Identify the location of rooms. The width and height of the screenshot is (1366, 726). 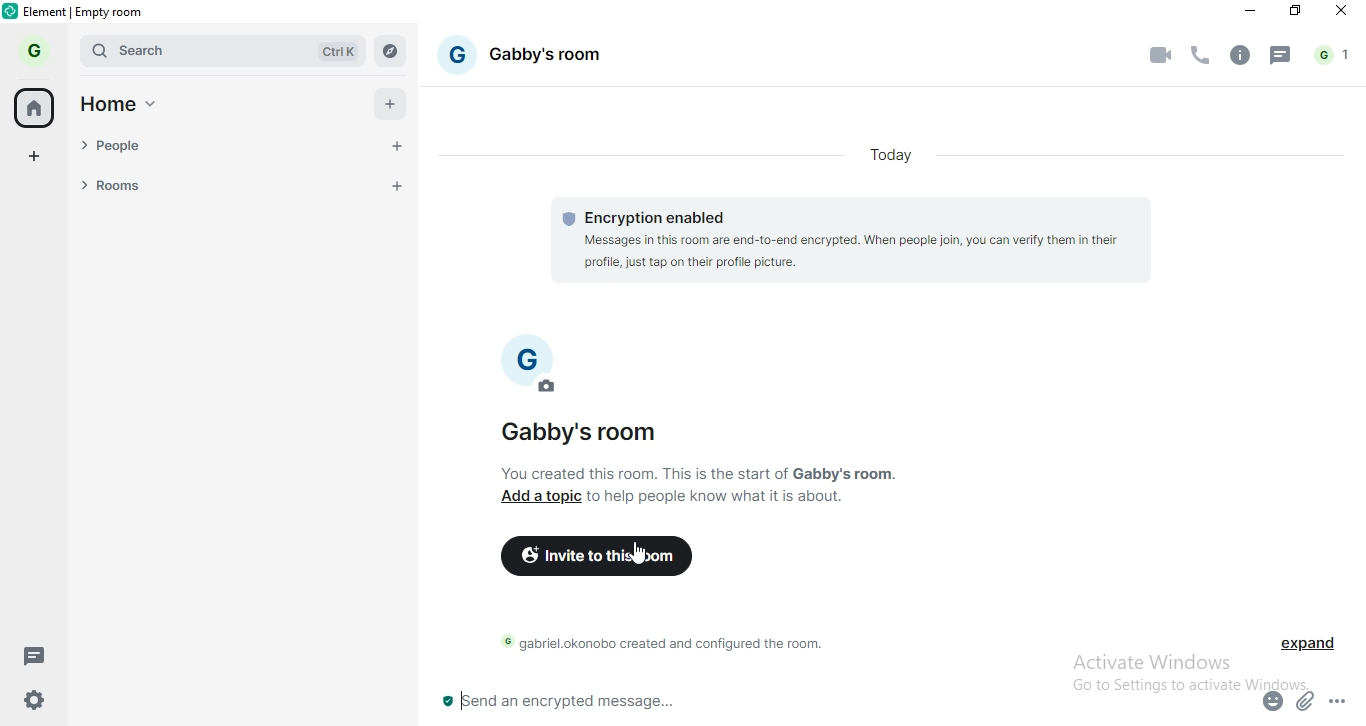
(220, 185).